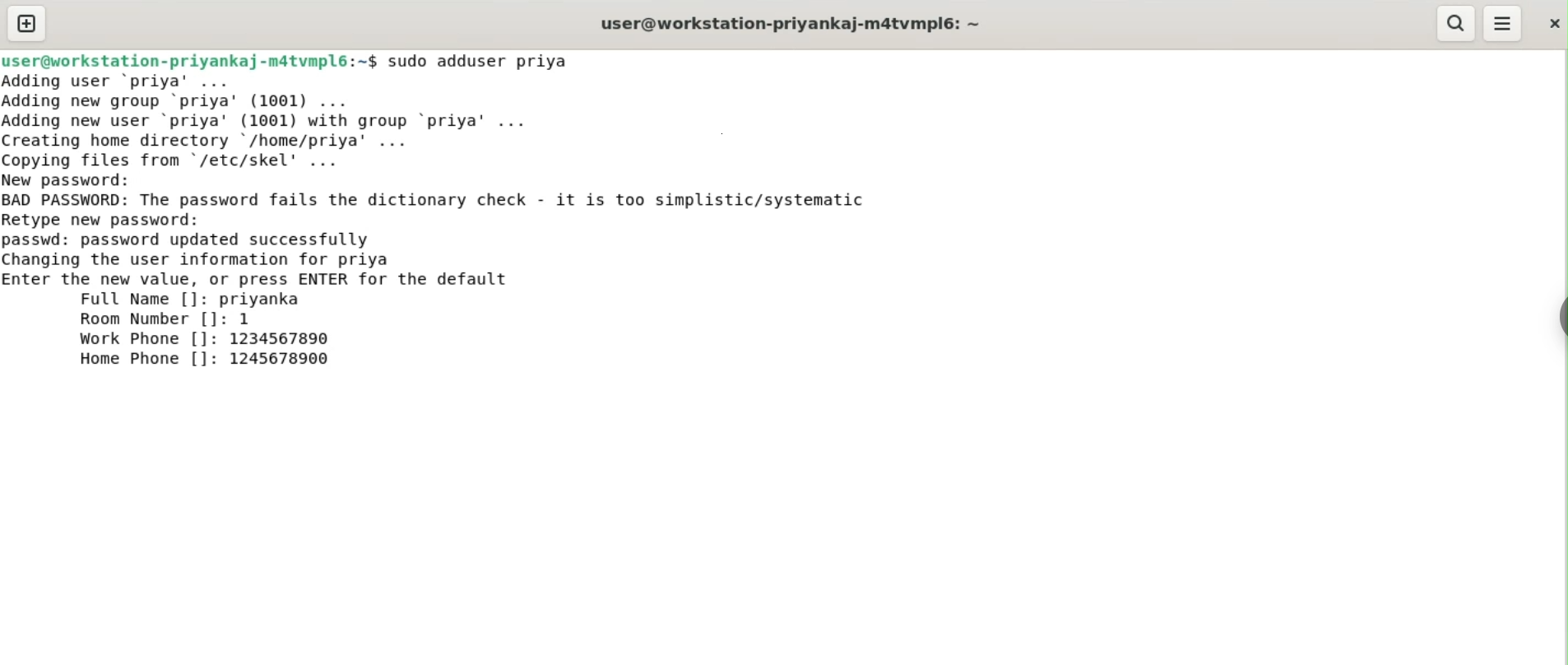 The width and height of the screenshot is (1568, 665). I want to click on user@workstation-priyankaj-m4tvmpl6:~$, so click(189, 58).